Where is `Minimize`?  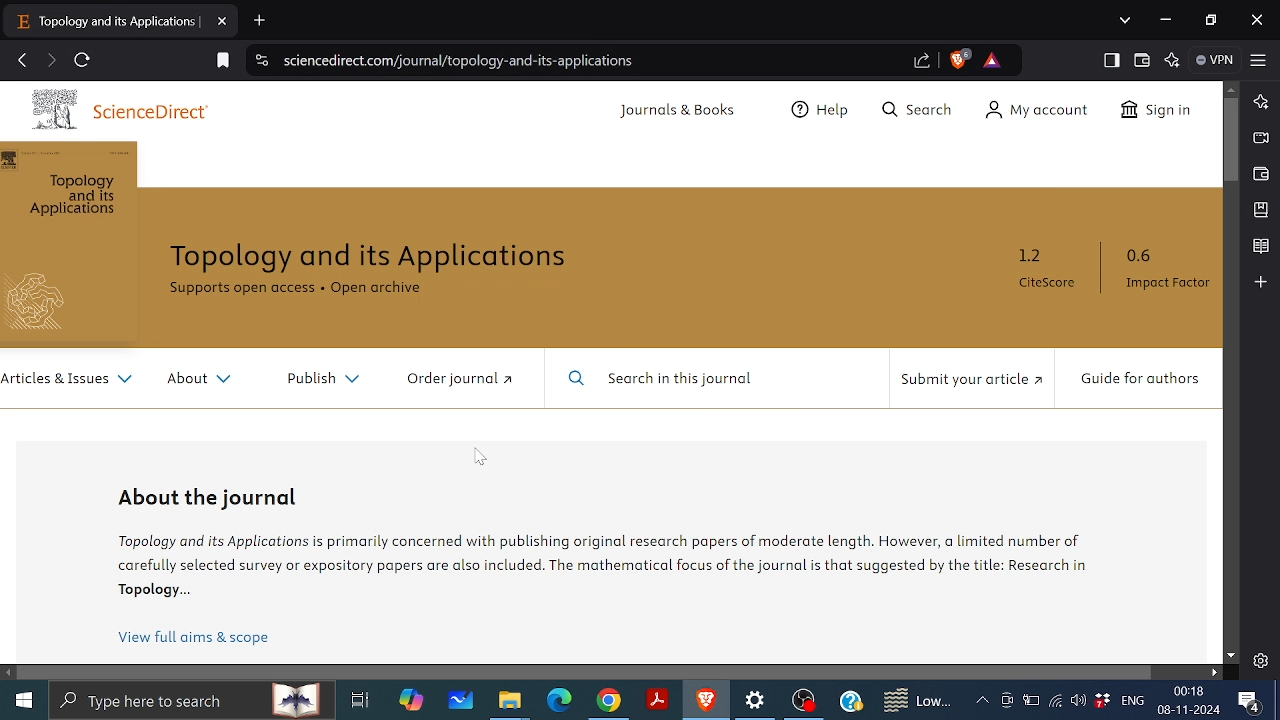 Minimize is located at coordinates (1168, 20).